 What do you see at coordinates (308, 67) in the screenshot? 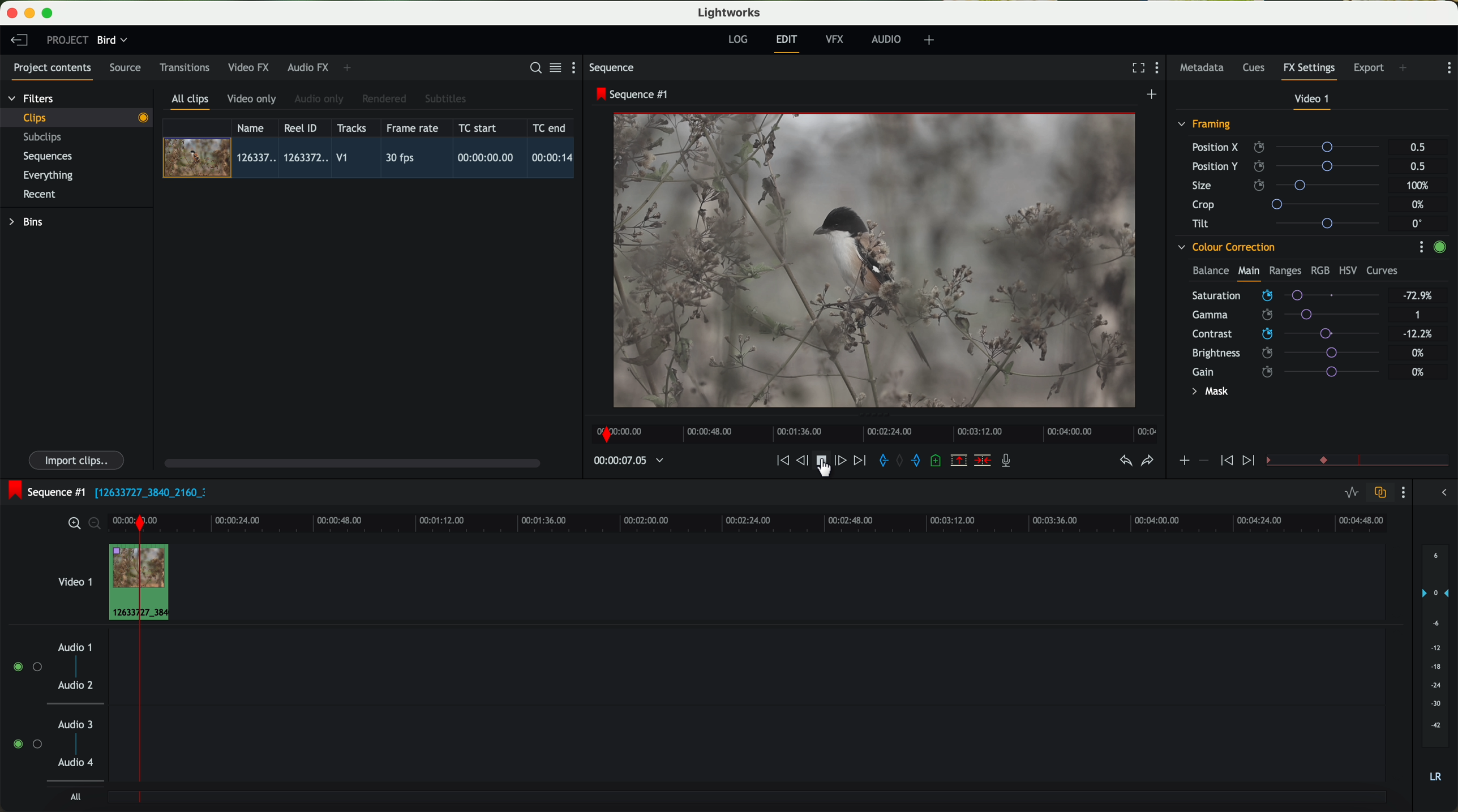
I see `audio FX` at bounding box center [308, 67].